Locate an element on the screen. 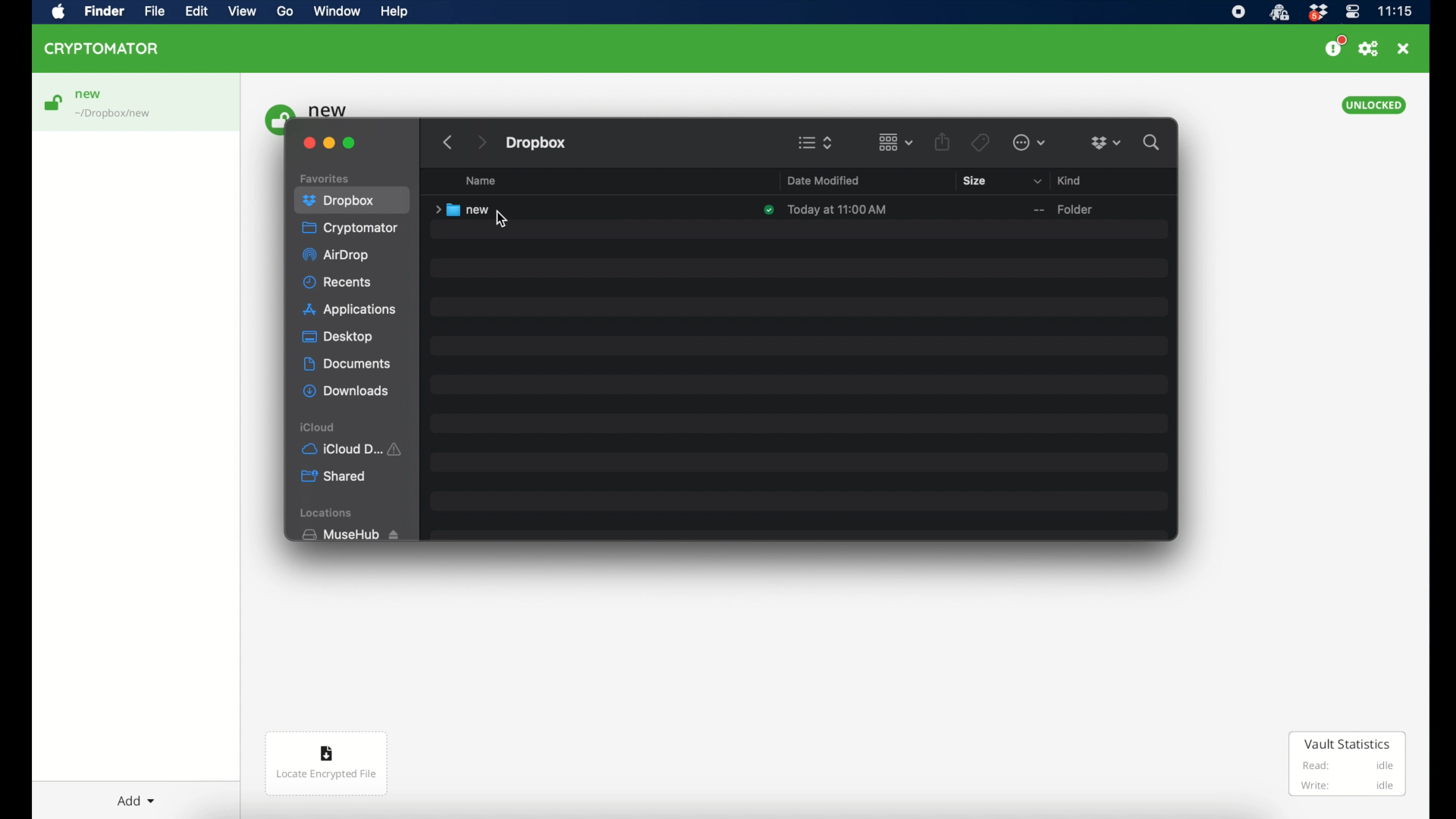  muse hub is located at coordinates (350, 535).